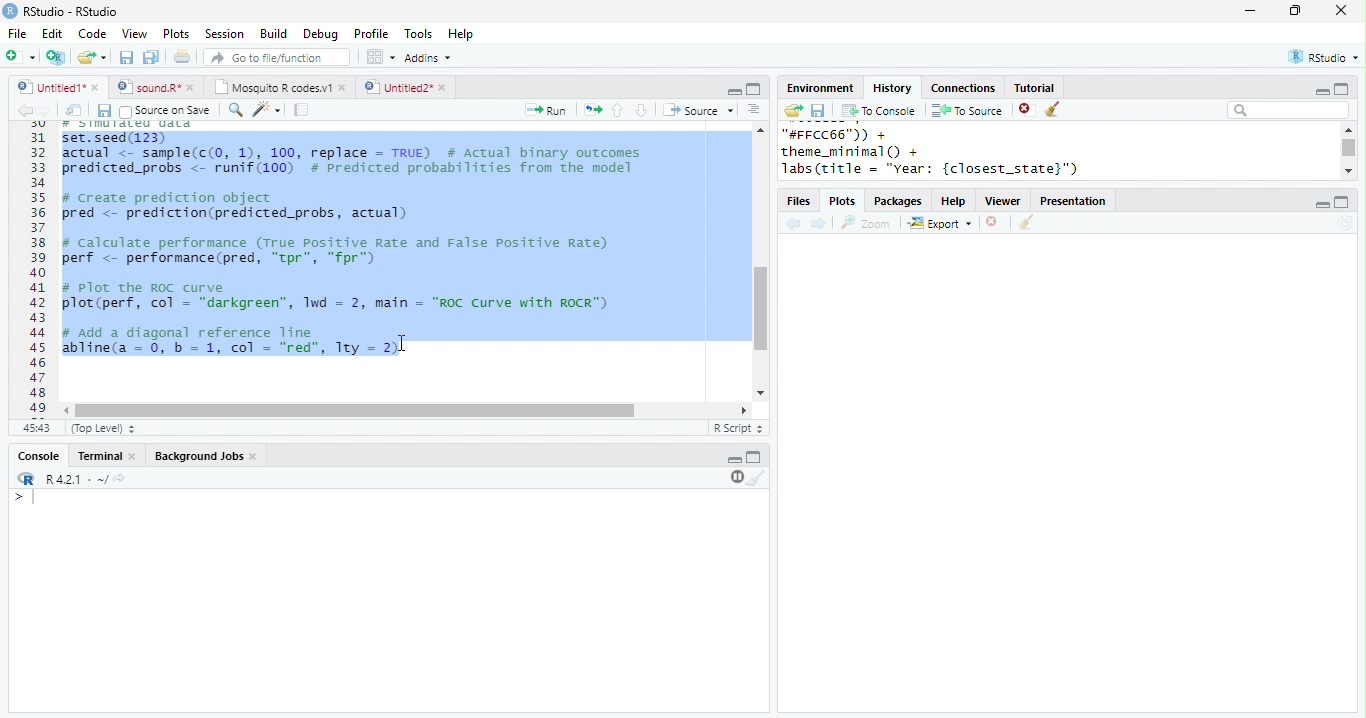 The image size is (1366, 718). What do you see at coordinates (700, 110) in the screenshot?
I see `Source` at bounding box center [700, 110].